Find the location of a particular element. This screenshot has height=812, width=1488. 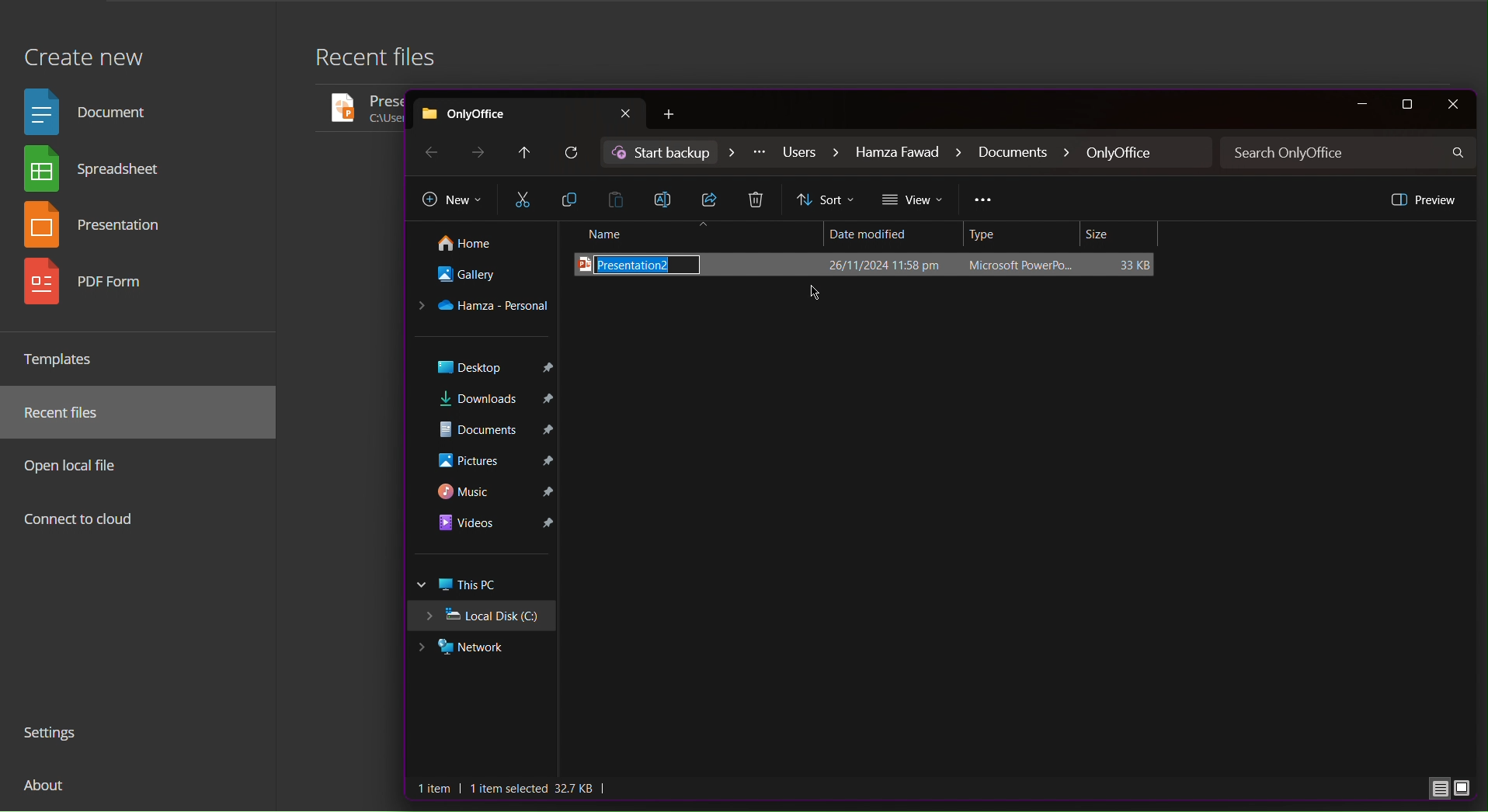

Refresh is located at coordinates (573, 154).